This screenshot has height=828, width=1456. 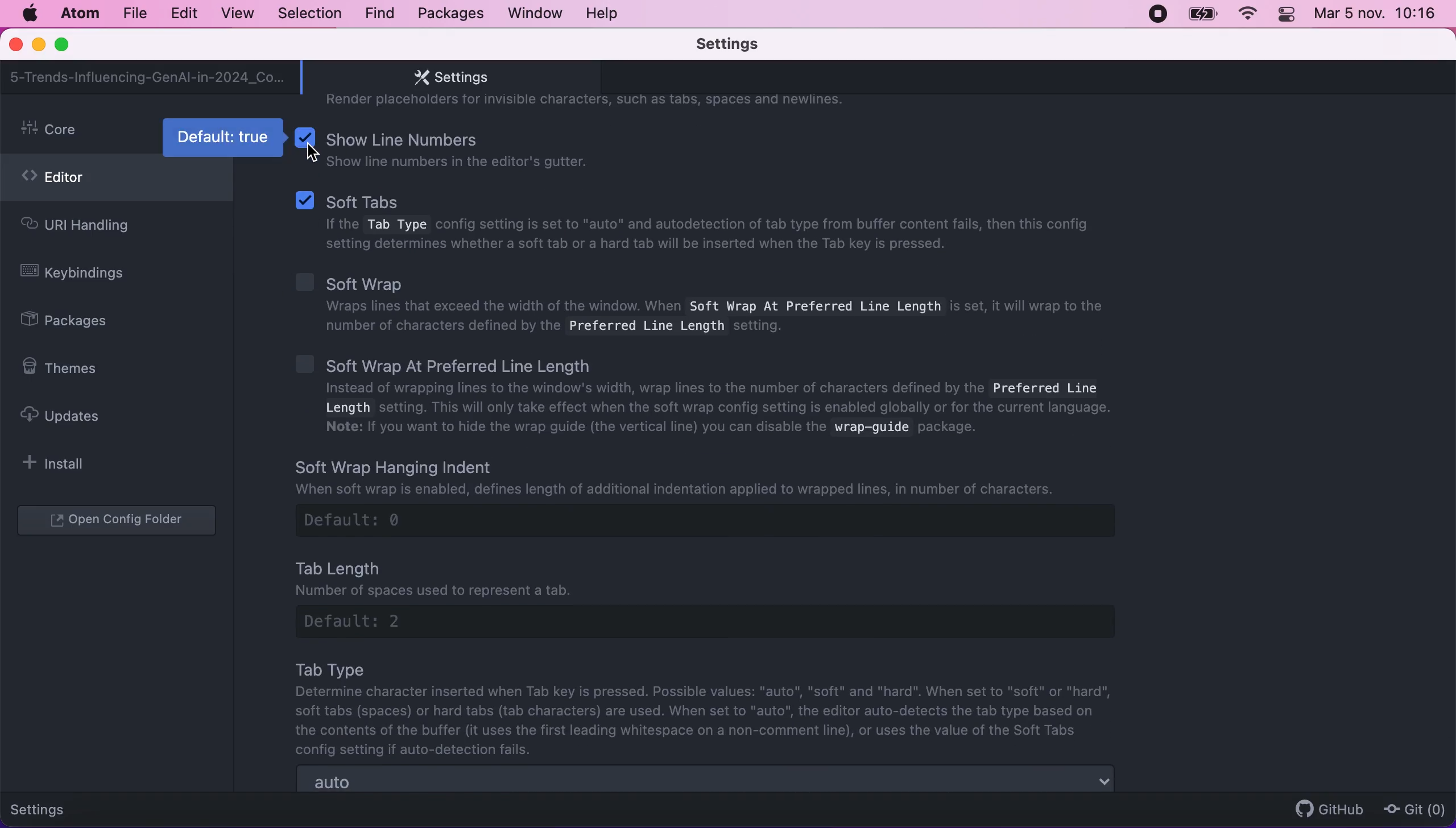 I want to click on control panel, so click(x=1288, y=16).